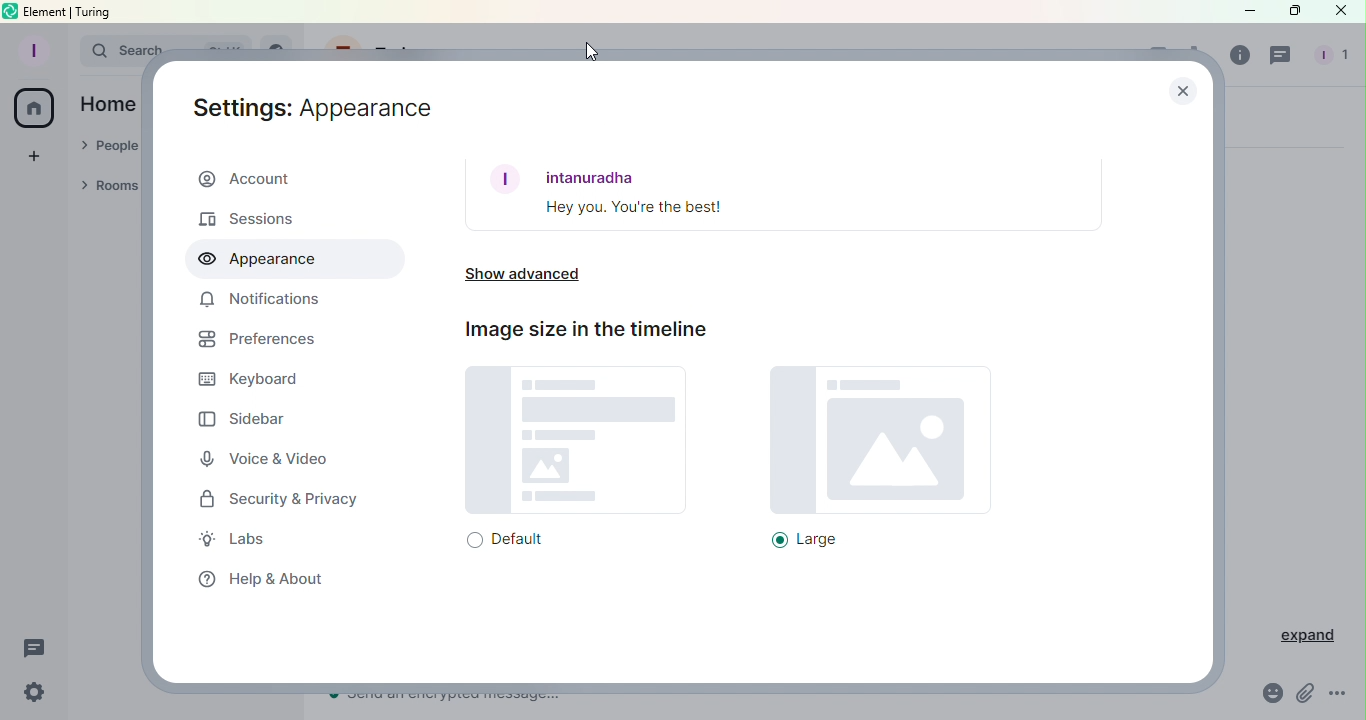 This screenshot has width=1366, height=720. Describe the element at coordinates (1181, 89) in the screenshot. I see `Close` at that location.